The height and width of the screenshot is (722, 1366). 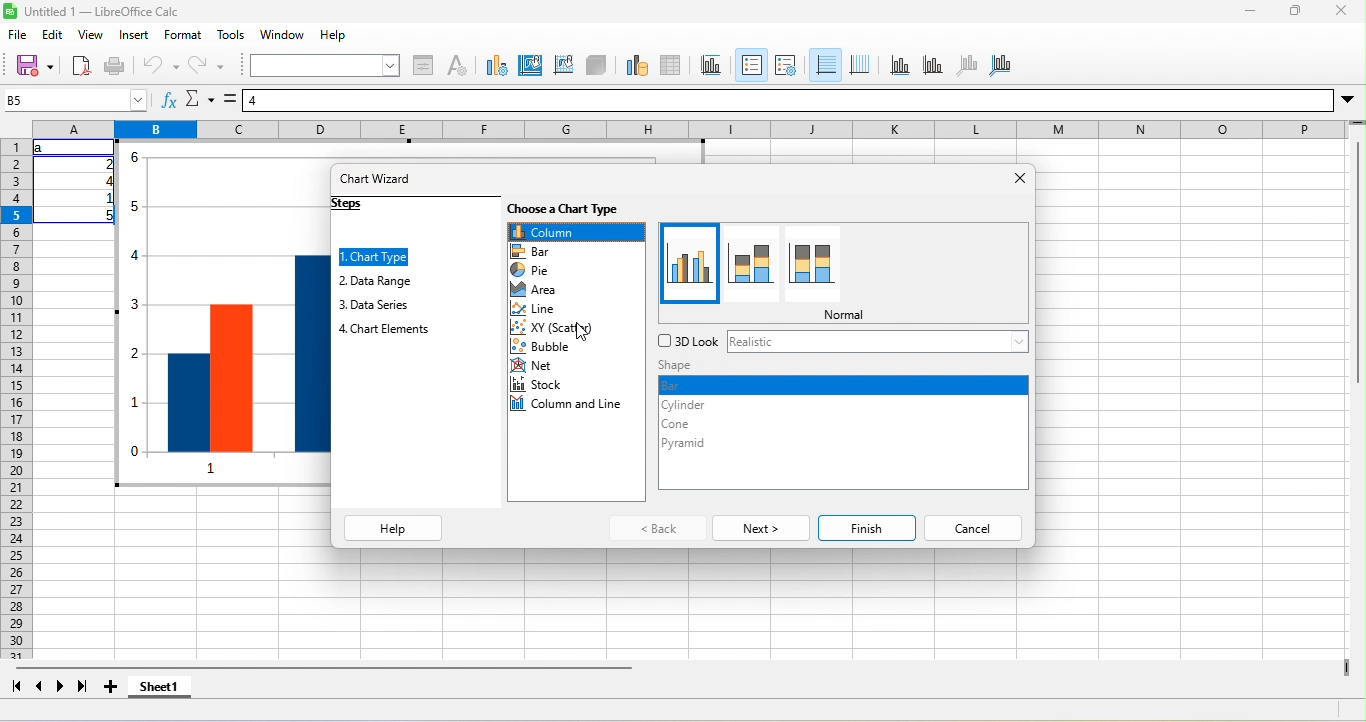 What do you see at coordinates (376, 178) in the screenshot?
I see `chart wizard` at bounding box center [376, 178].